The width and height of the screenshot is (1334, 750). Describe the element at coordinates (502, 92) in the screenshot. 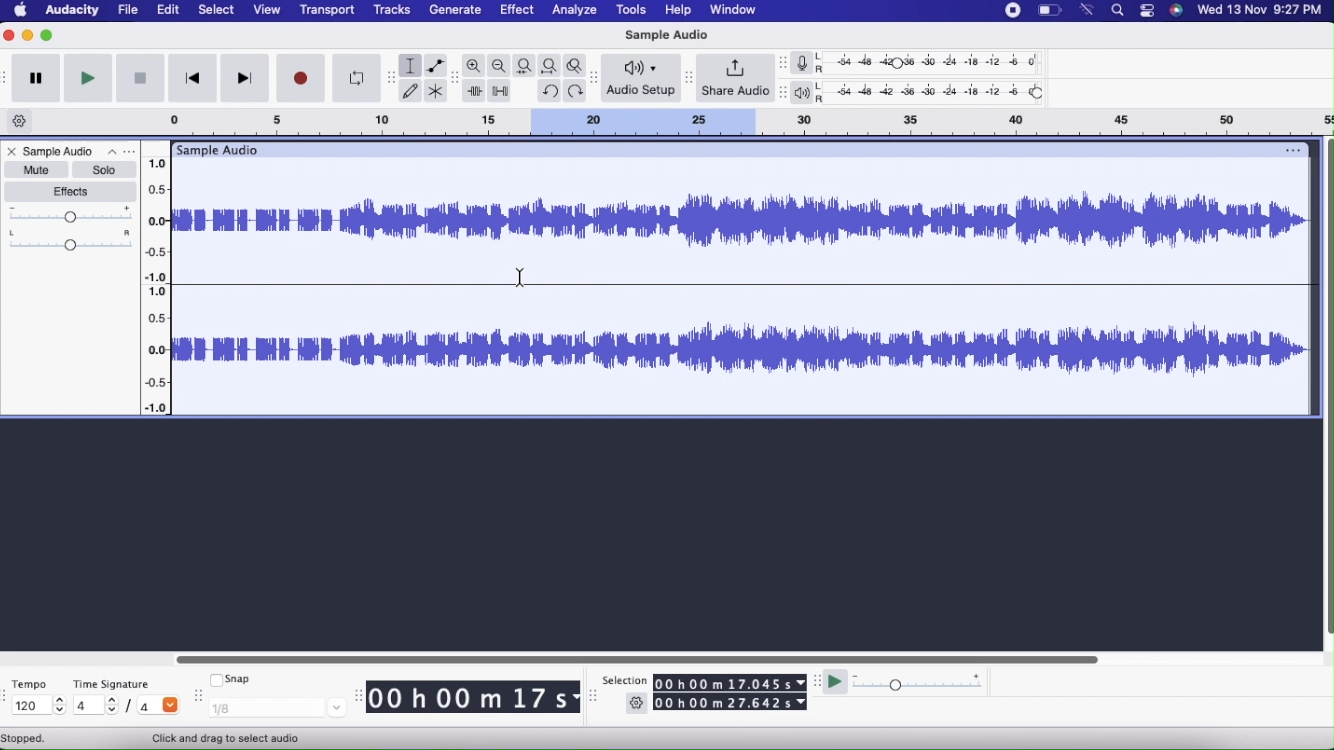

I see `Silence audio selection` at that location.